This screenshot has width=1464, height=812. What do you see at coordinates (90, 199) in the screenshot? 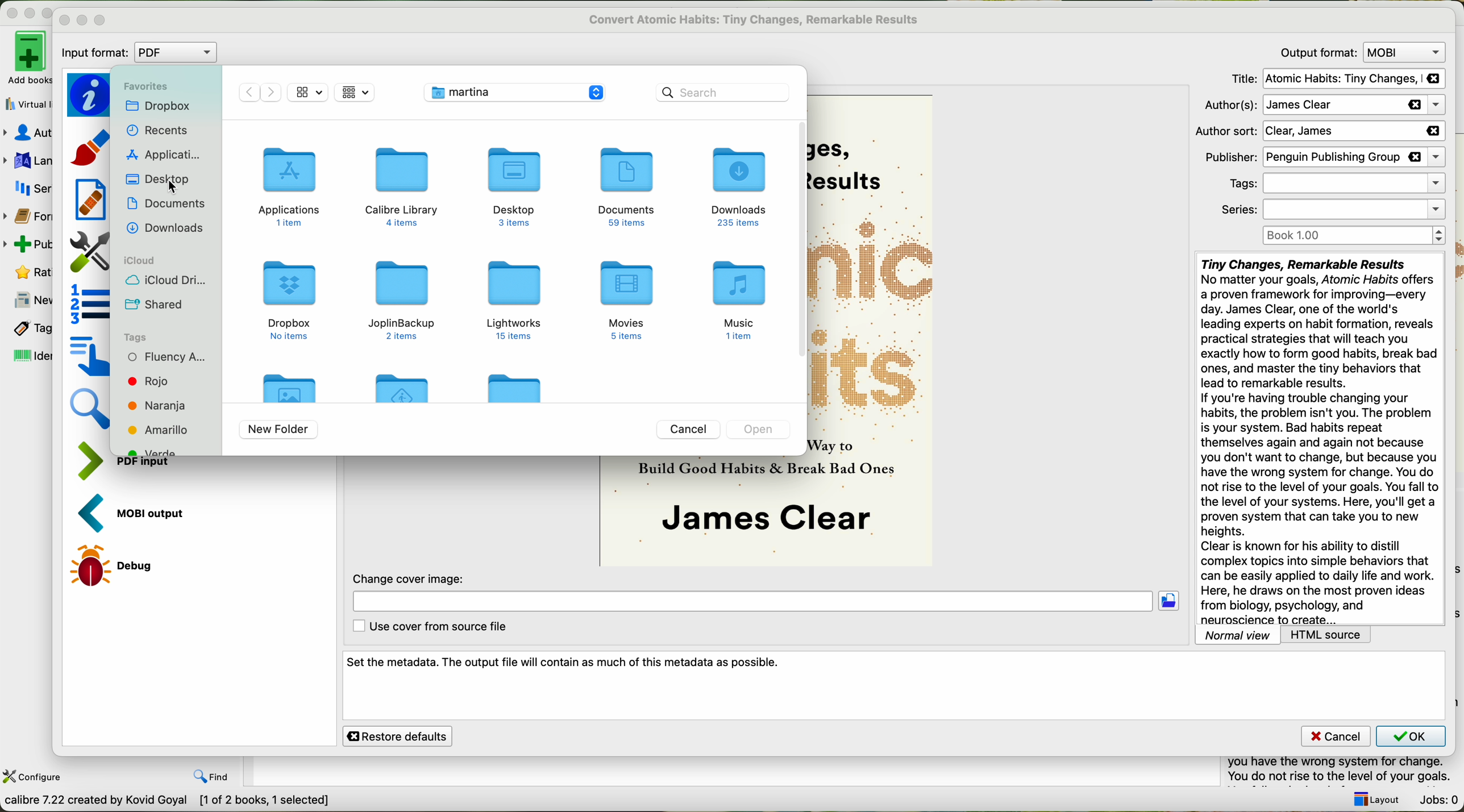
I see `heuristic processing` at bounding box center [90, 199].